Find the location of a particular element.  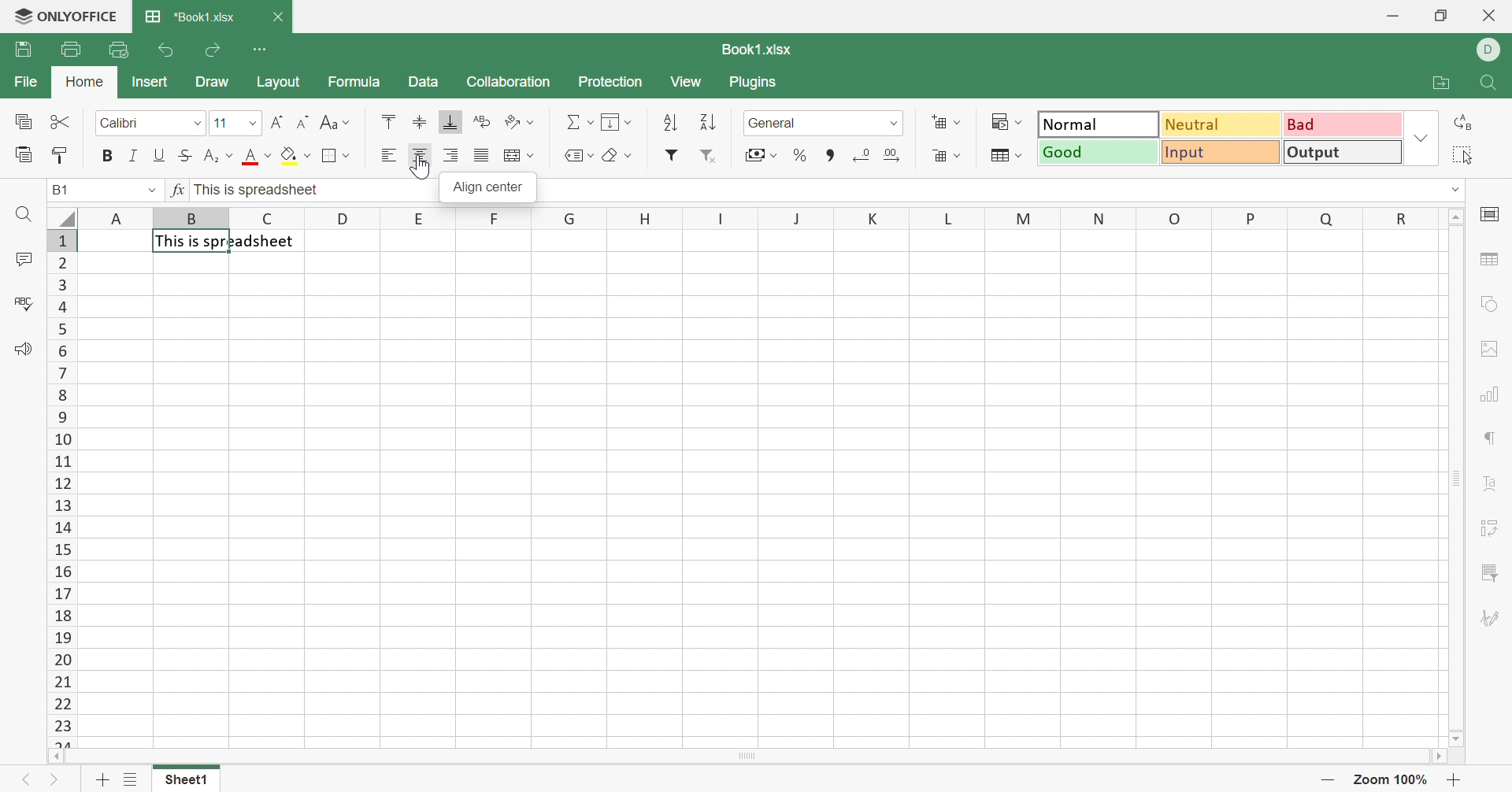

Drop Down is located at coordinates (229, 156).